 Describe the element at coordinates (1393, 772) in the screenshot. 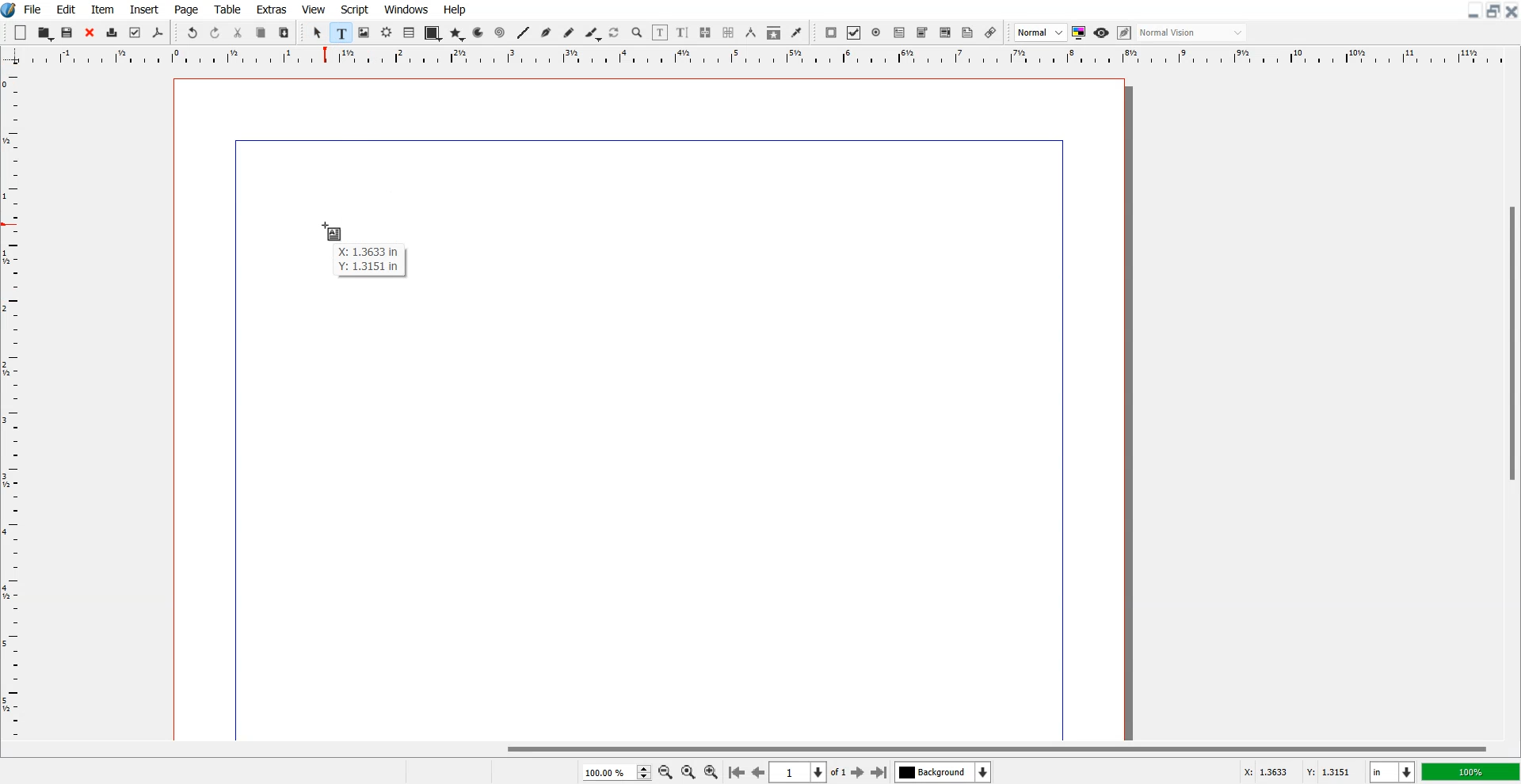

I see `Measurement in Inches` at that location.